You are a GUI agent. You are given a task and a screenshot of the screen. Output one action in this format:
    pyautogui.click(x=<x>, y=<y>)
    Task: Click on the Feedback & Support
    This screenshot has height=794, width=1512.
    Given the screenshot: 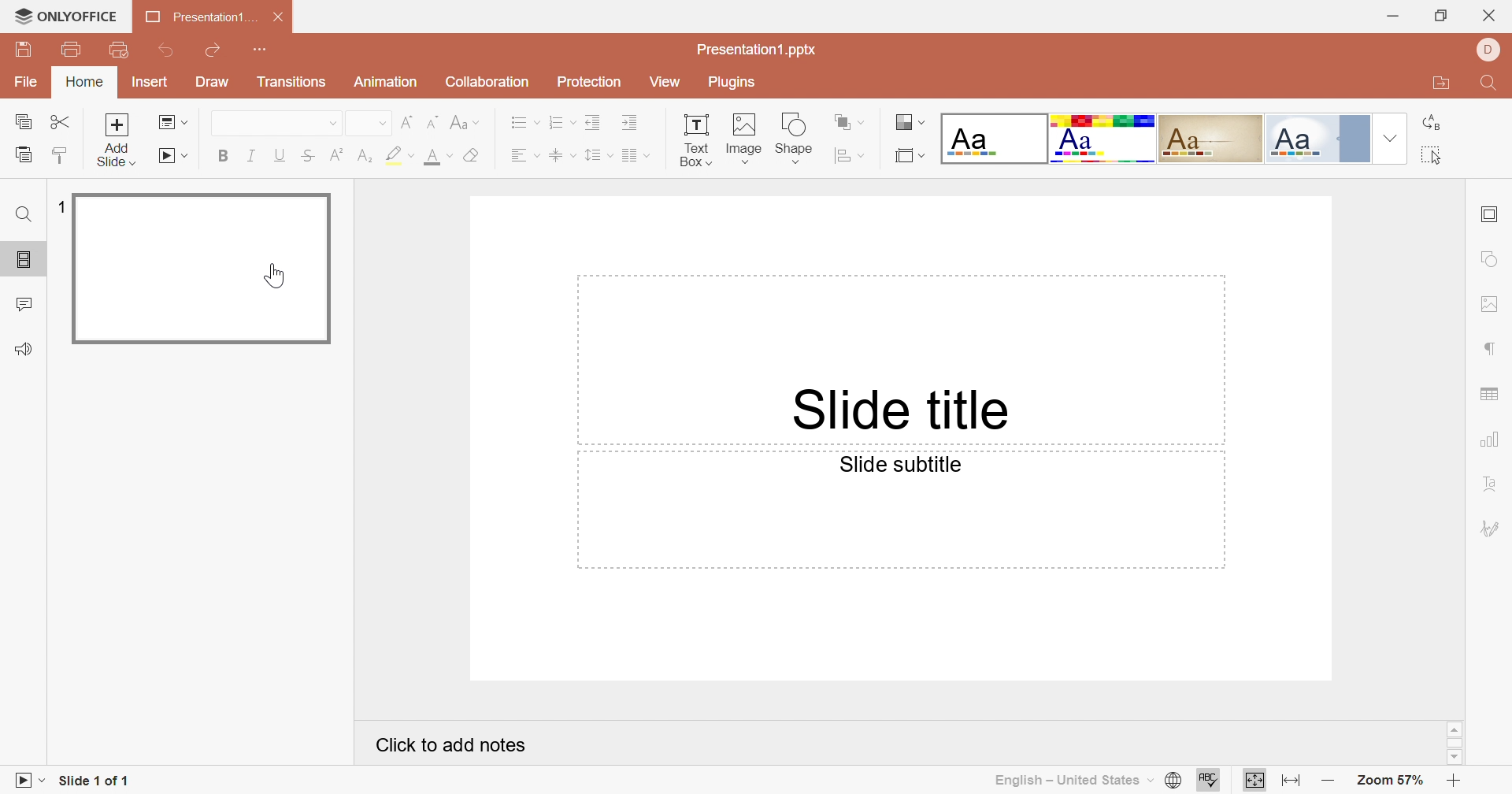 What is the action you would take?
    pyautogui.click(x=24, y=350)
    